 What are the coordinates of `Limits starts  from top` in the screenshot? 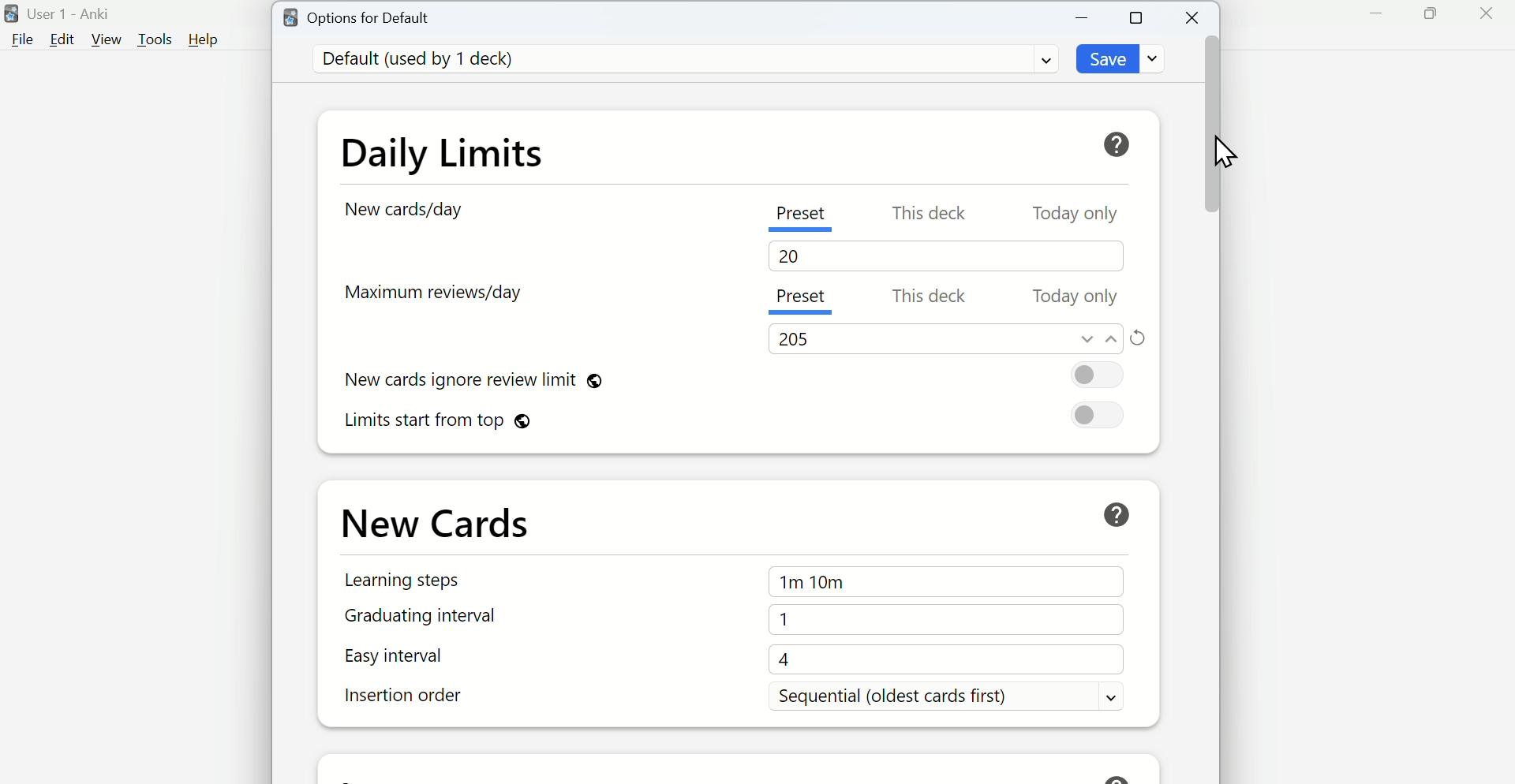 It's located at (735, 415).